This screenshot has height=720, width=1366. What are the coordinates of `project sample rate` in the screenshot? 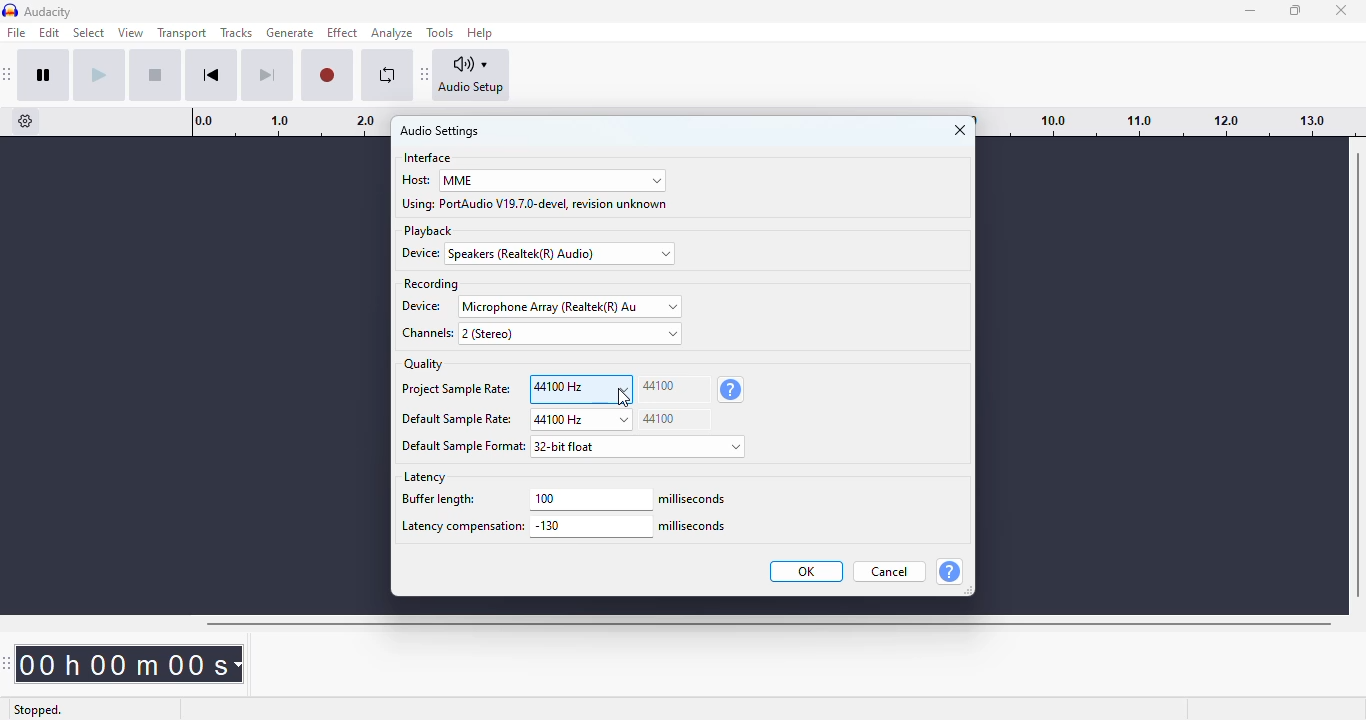 It's located at (455, 391).